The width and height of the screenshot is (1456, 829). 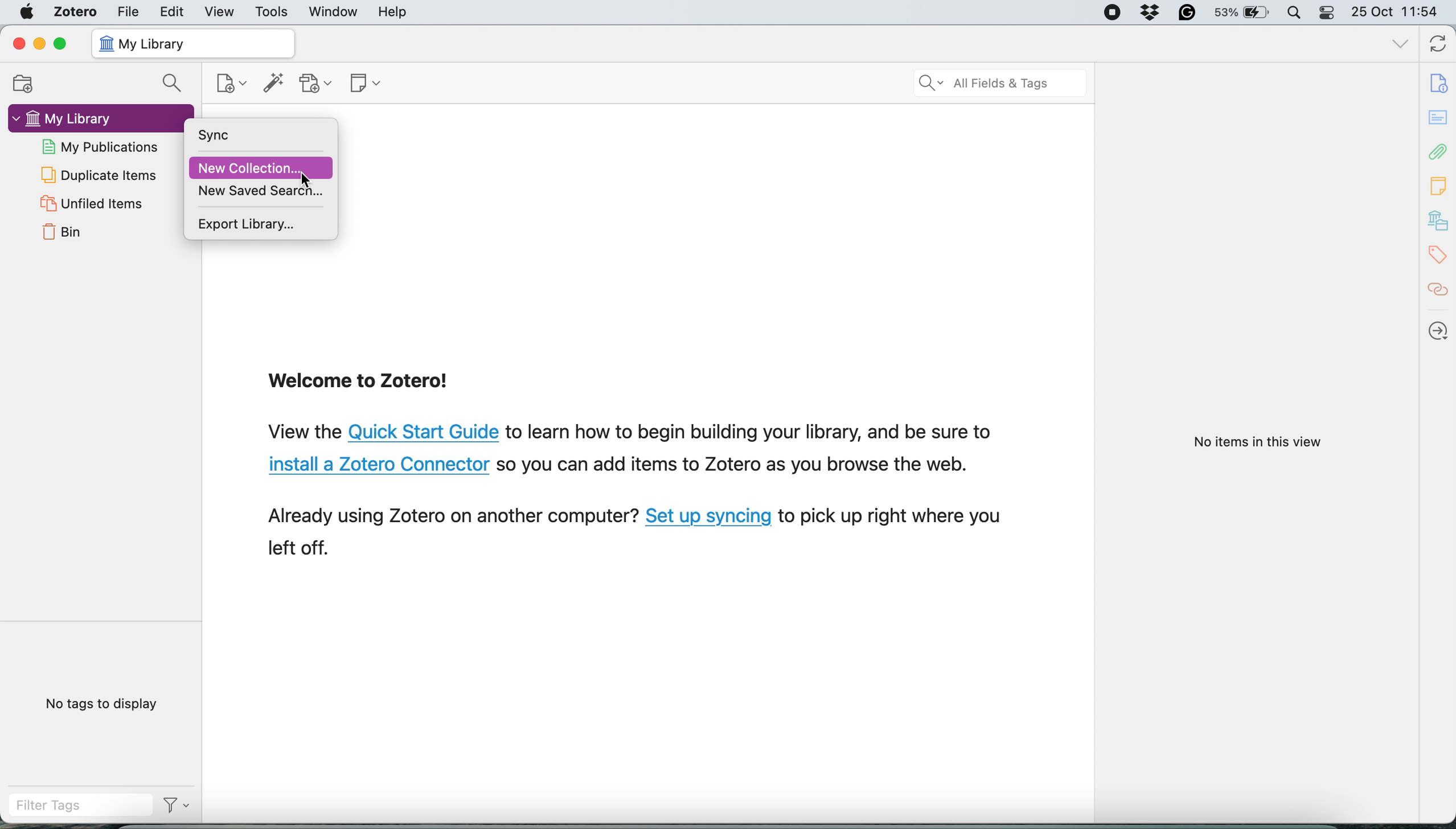 I want to click on library, so click(x=1439, y=222).